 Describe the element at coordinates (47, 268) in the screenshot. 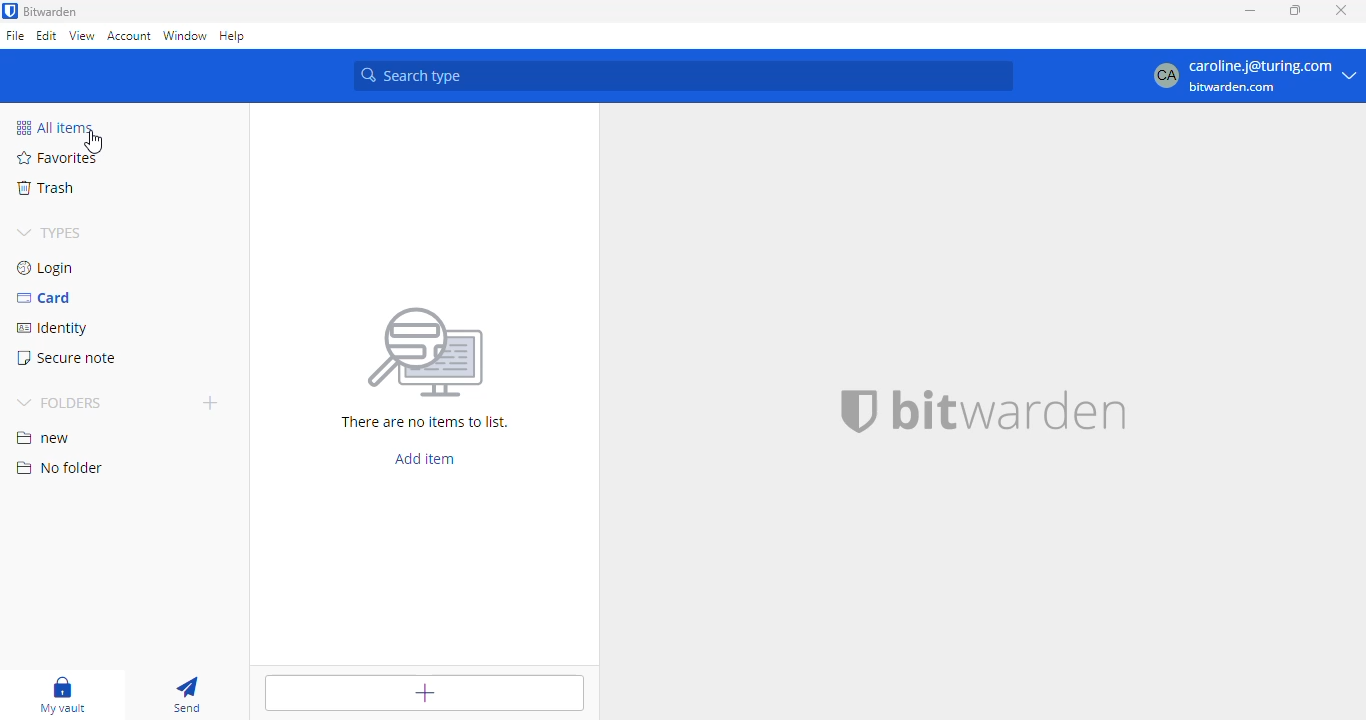

I see `login` at that location.